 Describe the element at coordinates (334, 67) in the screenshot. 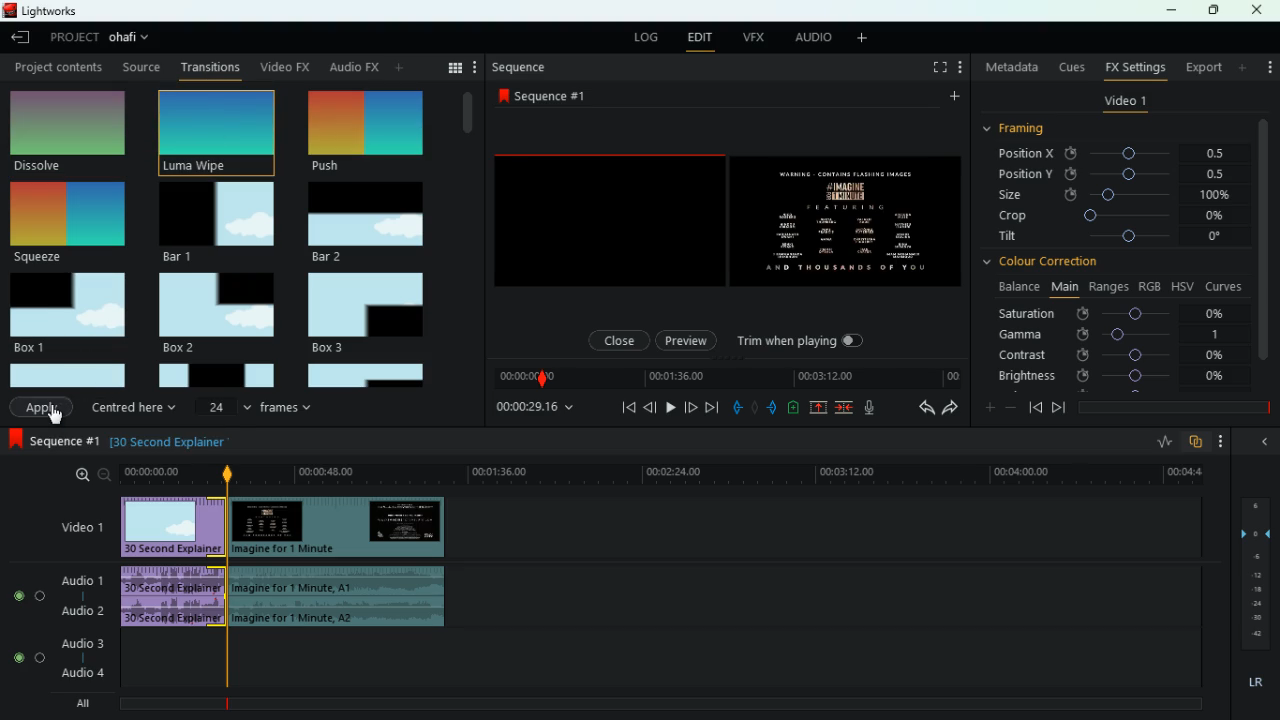

I see `au` at that location.